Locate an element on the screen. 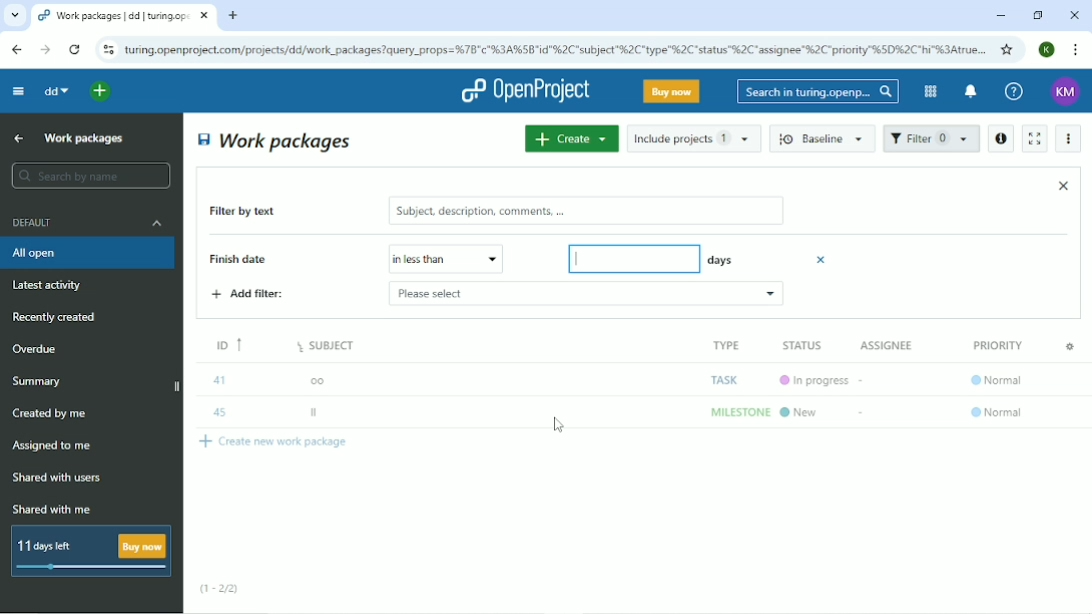 This screenshot has width=1092, height=614. Bookmark this tab is located at coordinates (1007, 49).